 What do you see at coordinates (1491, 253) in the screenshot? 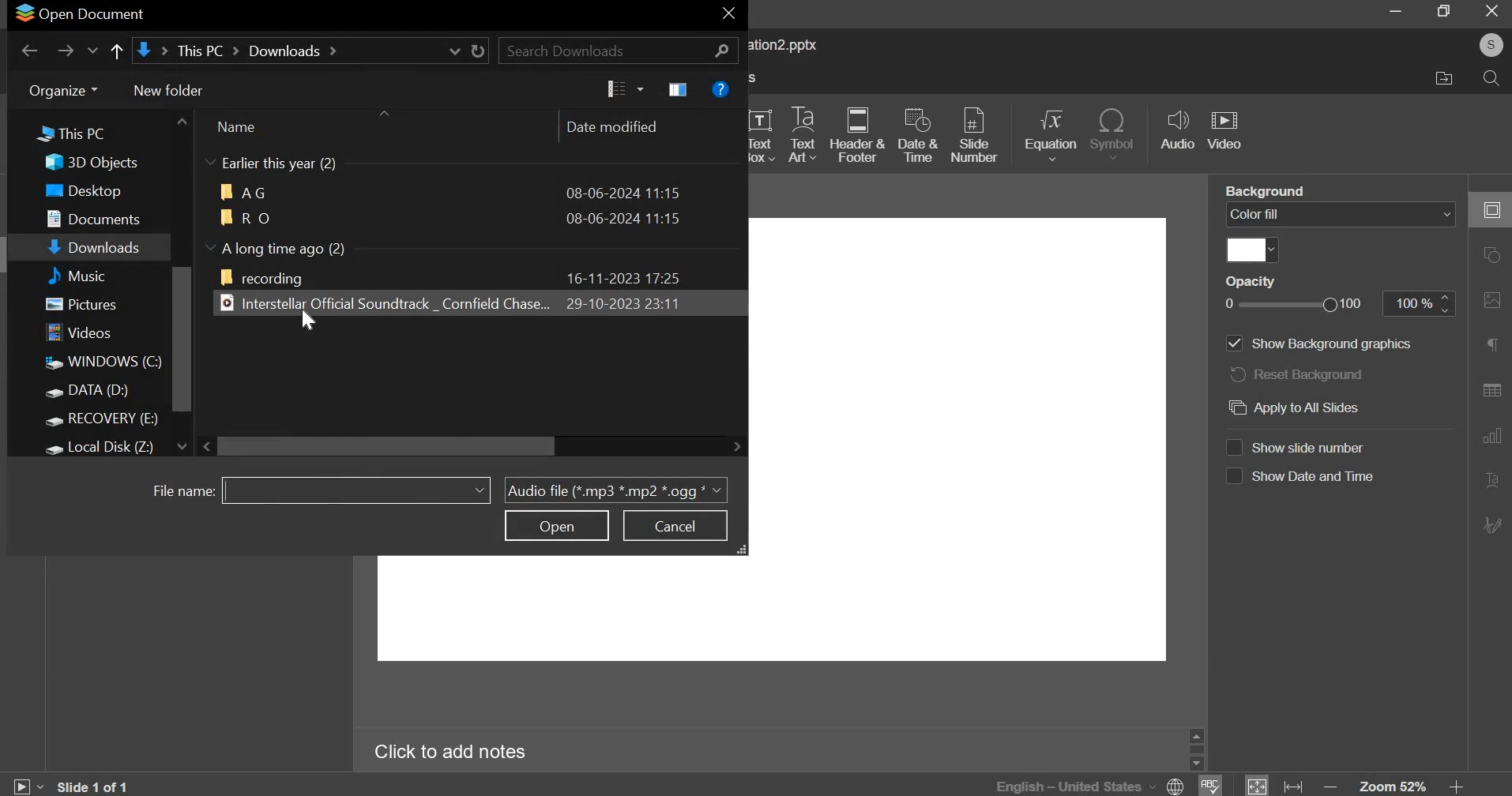
I see `shape settings` at bounding box center [1491, 253].